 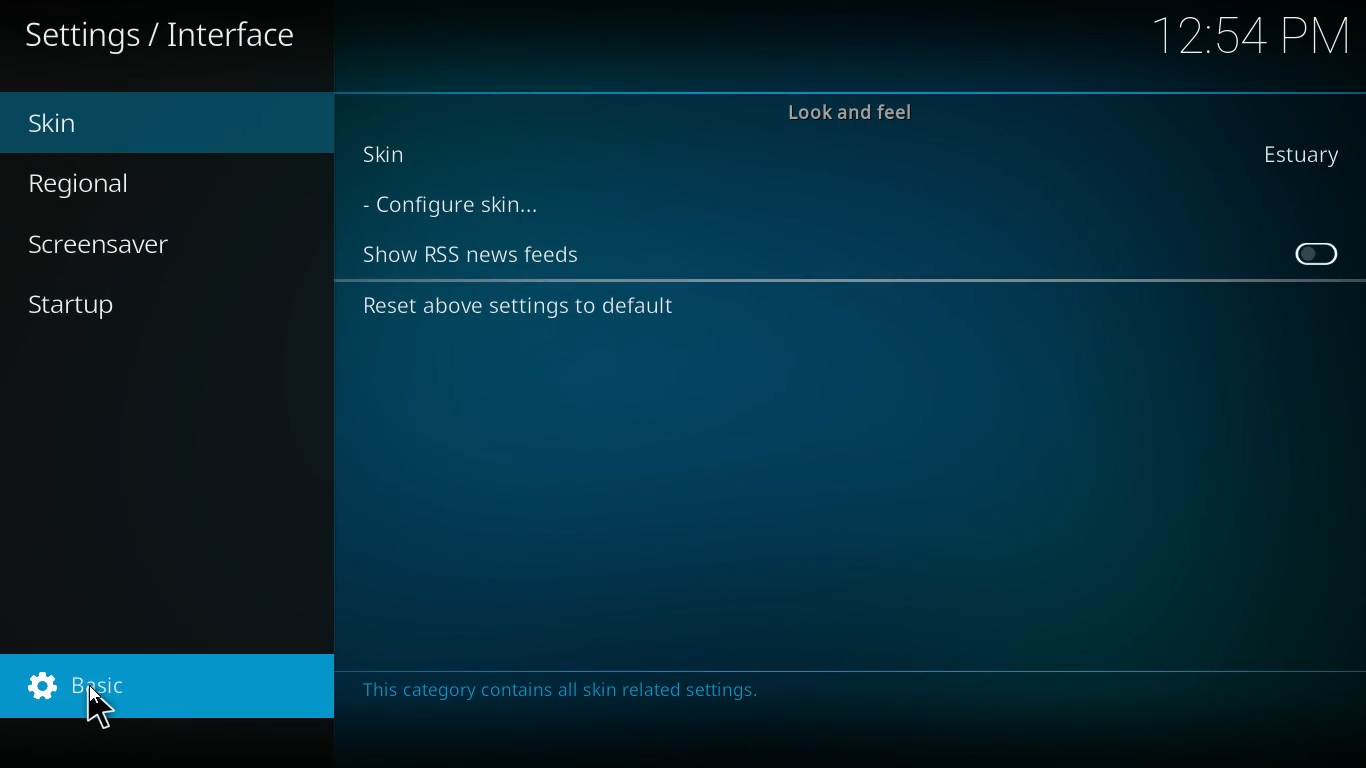 What do you see at coordinates (162, 686) in the screenshot?
I see `basic` at bounding box center [162, 686].